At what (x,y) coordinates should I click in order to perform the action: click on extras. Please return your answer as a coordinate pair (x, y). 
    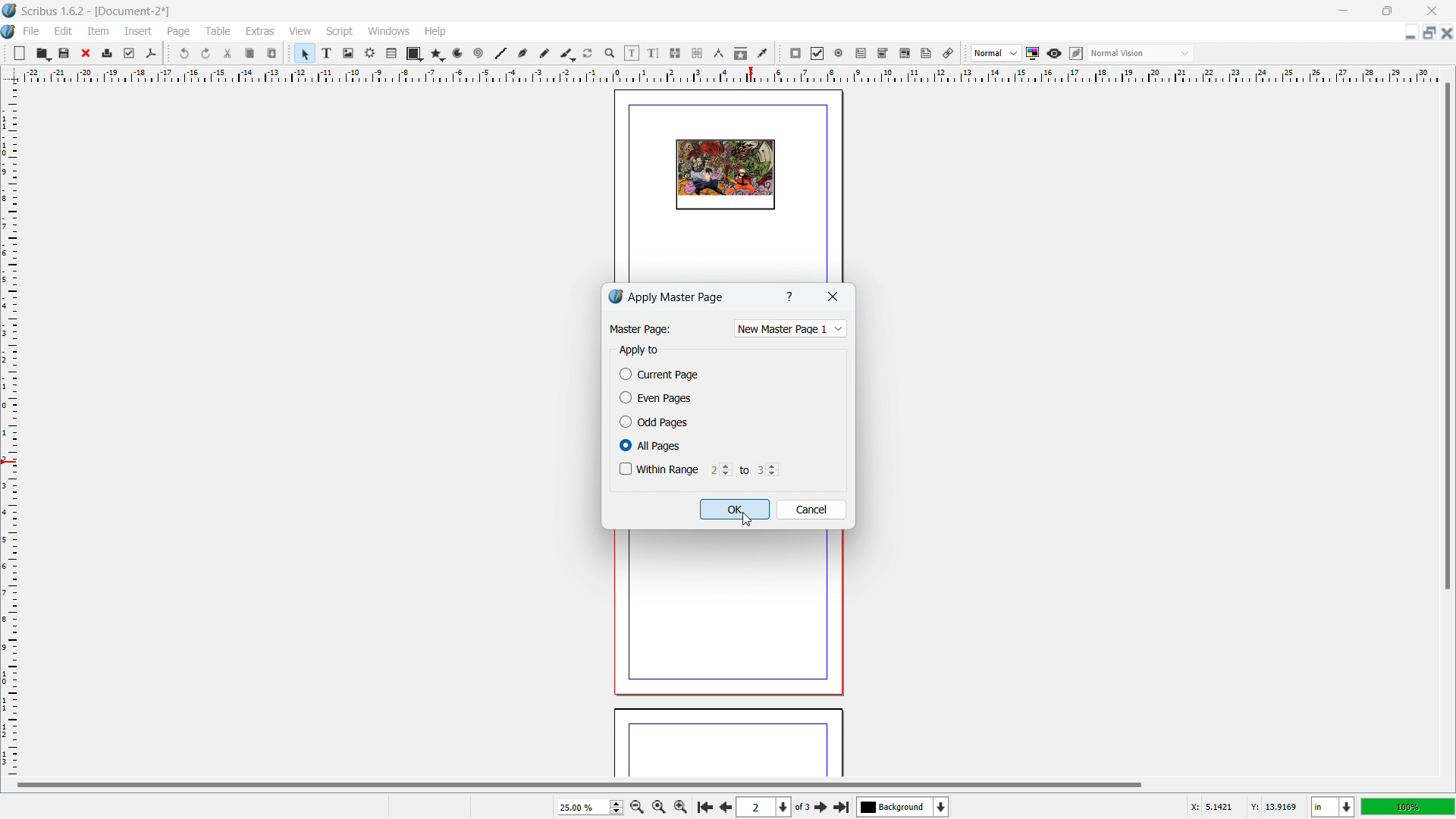
    Looking at the image, I should click on (261, 31).